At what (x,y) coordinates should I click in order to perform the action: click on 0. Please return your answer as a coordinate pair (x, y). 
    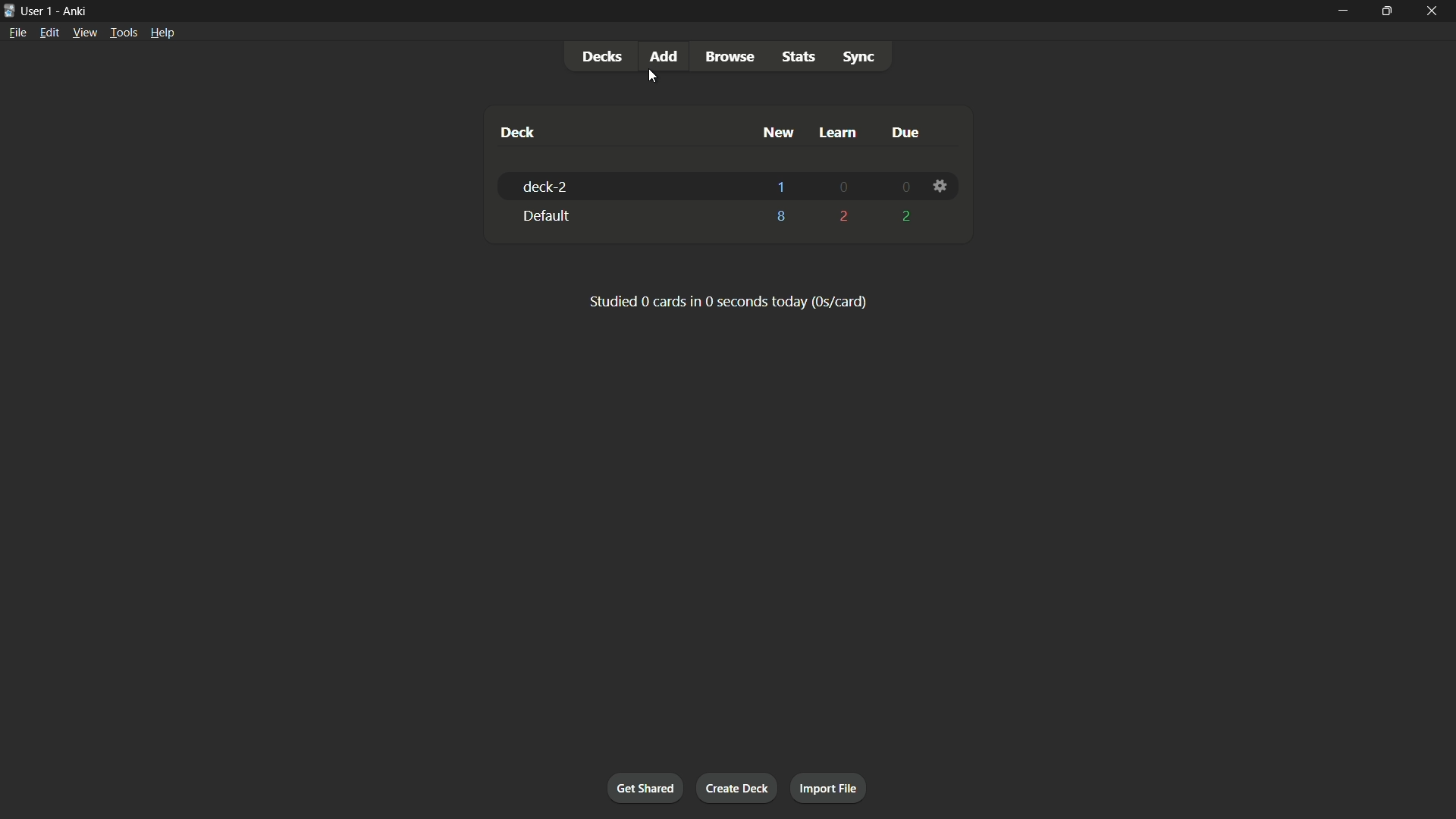
    Looking at the image, I should click on (846, 187).